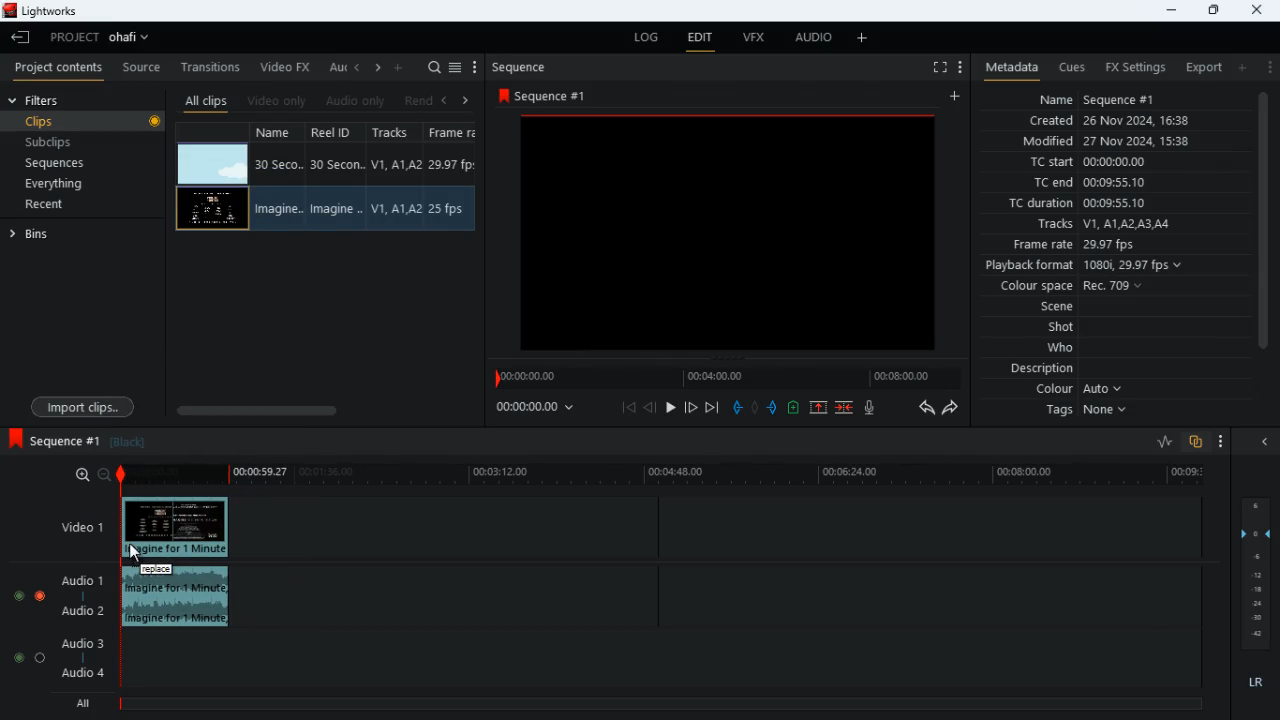 The image size is (1280, 720). What do you see at coordinates (322, 410) in the screenshot?
I see `scroll` at bounding box center [322, 410].